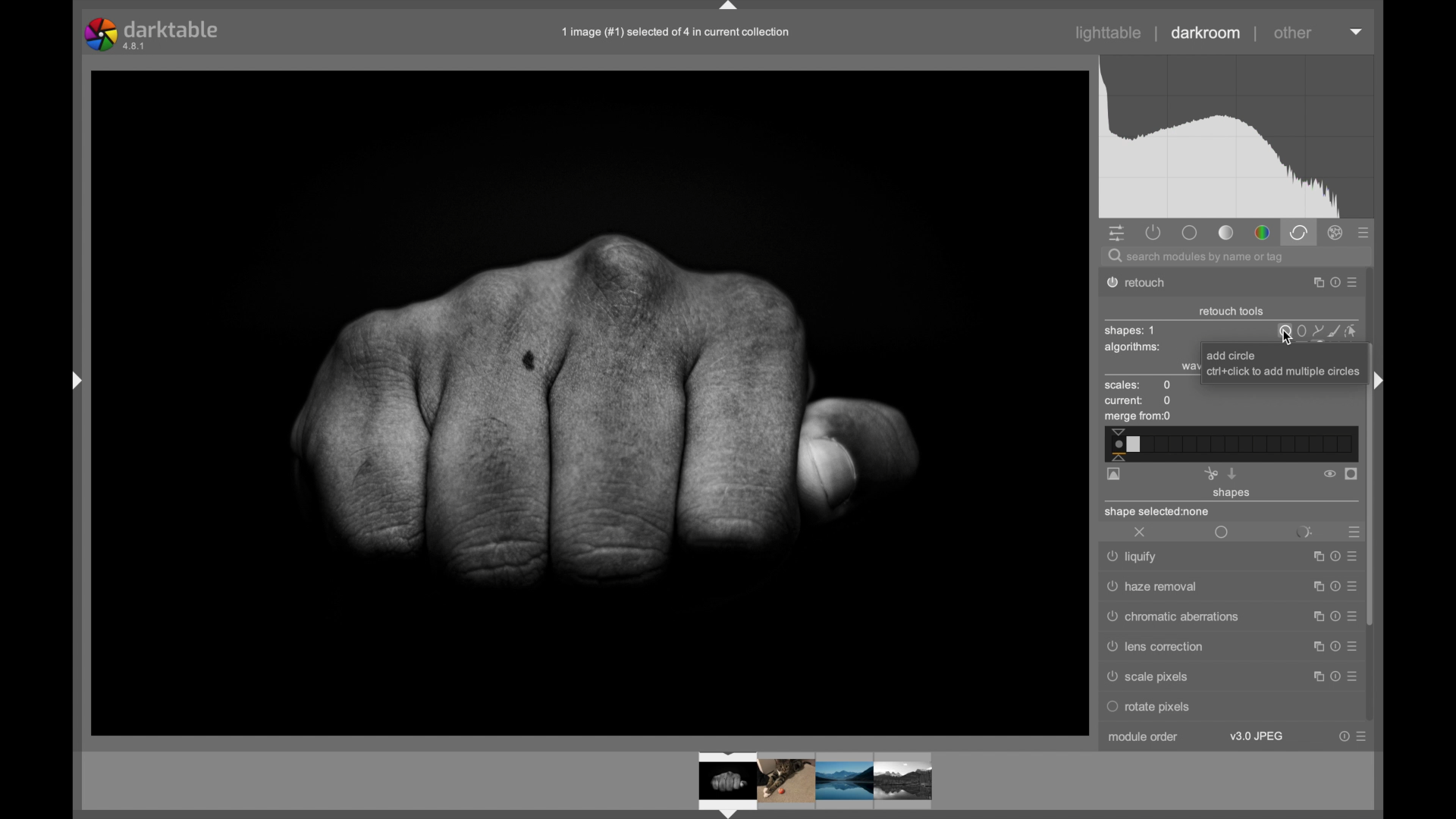 The image size is (1456, 819). I want to click on correct, so click(1298, 232).